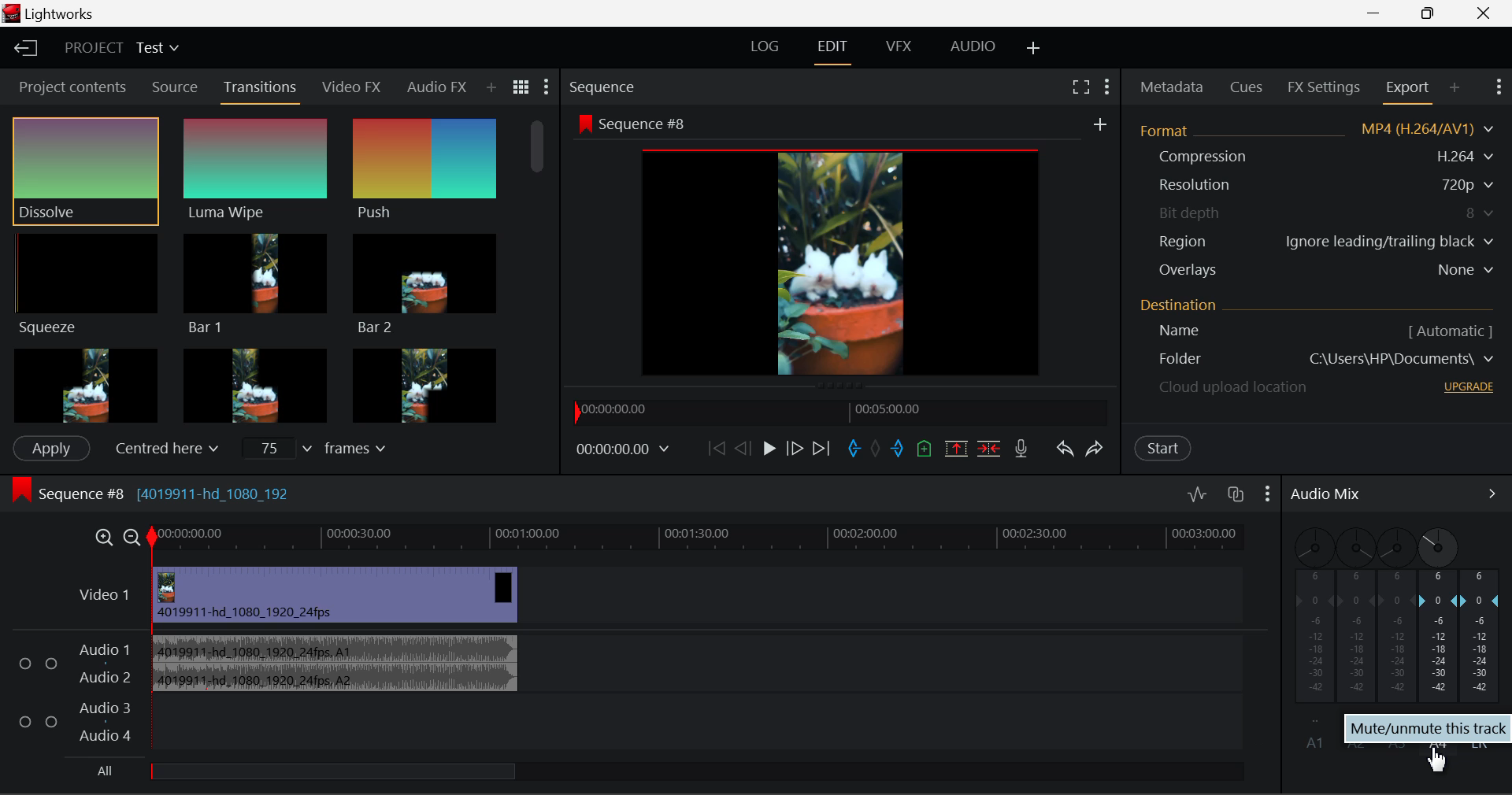 This screenshot has width=1512, height=795. Describe the element at coordinates (547, 88) in the screenshot. I see `Show Settings` at that location.